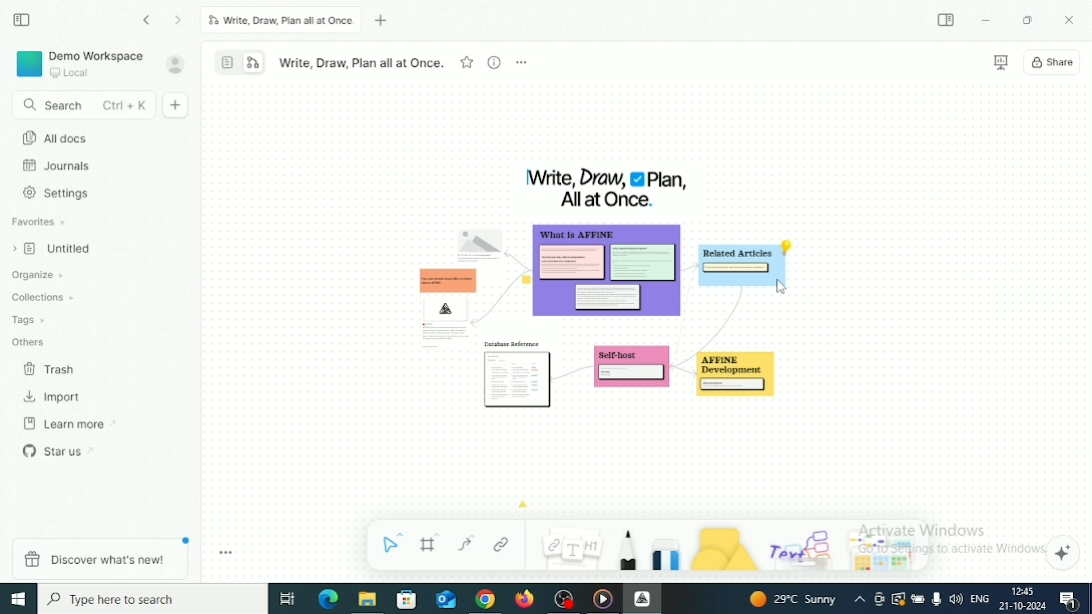 The height and width of the screenshot is (614, 1092). Describe the element at coordinates (40, 275) in the screenshot. I see `Organize` at that location.